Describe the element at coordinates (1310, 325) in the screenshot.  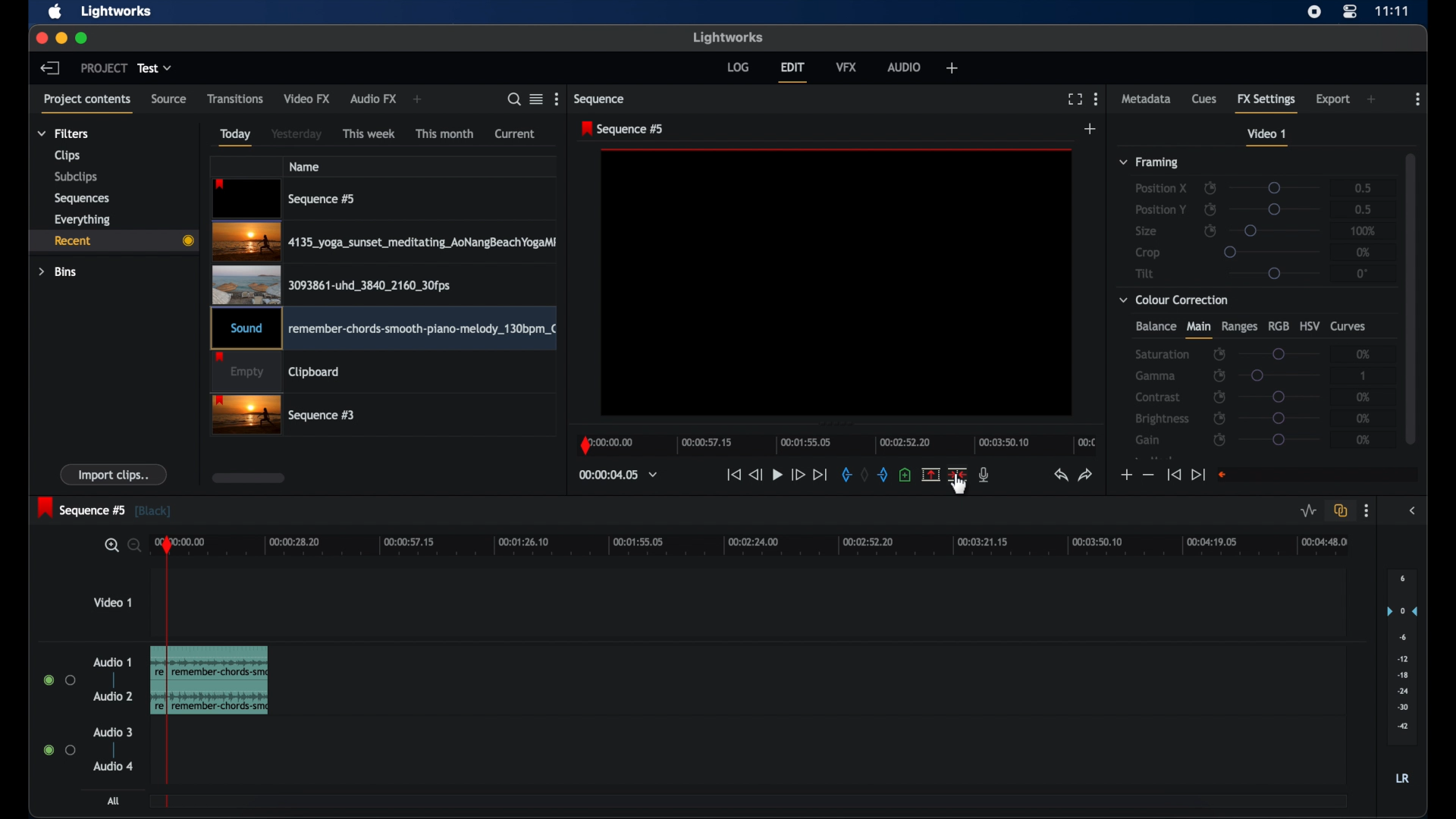
I see `hsv` at that location.